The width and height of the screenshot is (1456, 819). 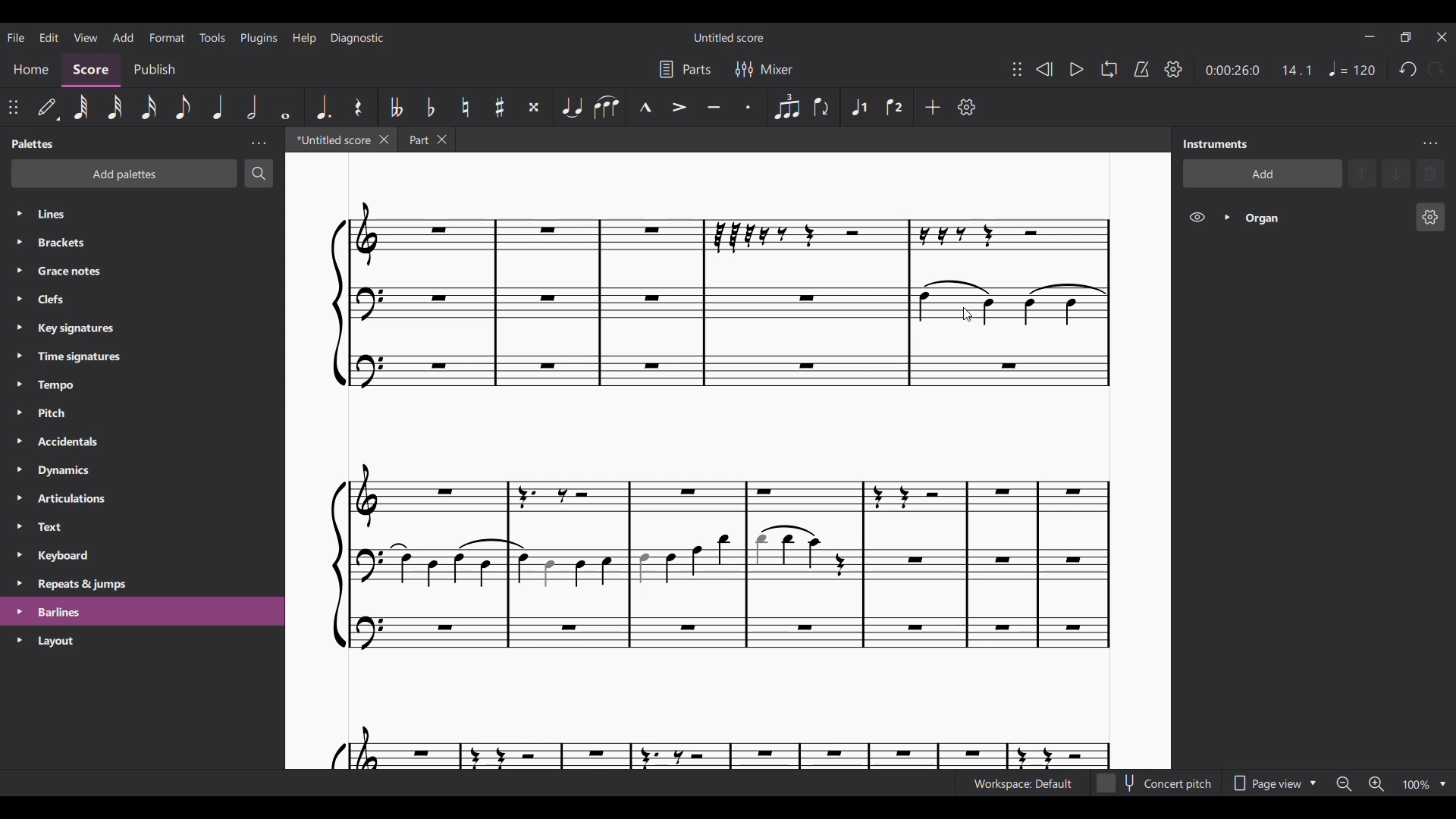 What do you see at coordinates (1396, 174) in the screenshot?
I see `Move selection down` at bounding box center [1396, 174].